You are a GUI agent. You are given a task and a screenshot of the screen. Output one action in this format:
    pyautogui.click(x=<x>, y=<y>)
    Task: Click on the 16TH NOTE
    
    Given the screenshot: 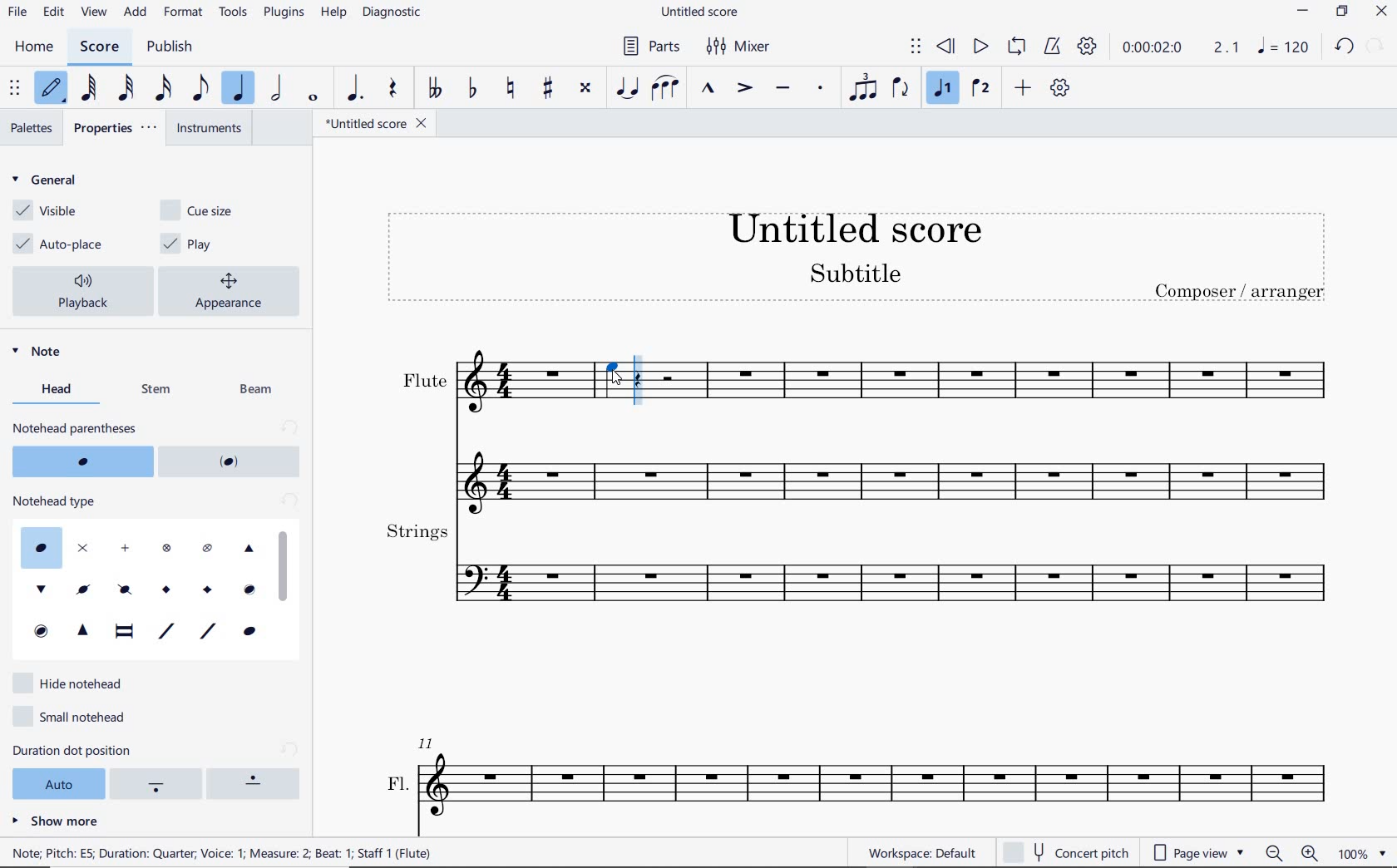 What is the action you would take?
    pyautogui.click(x=163, y=88)
    